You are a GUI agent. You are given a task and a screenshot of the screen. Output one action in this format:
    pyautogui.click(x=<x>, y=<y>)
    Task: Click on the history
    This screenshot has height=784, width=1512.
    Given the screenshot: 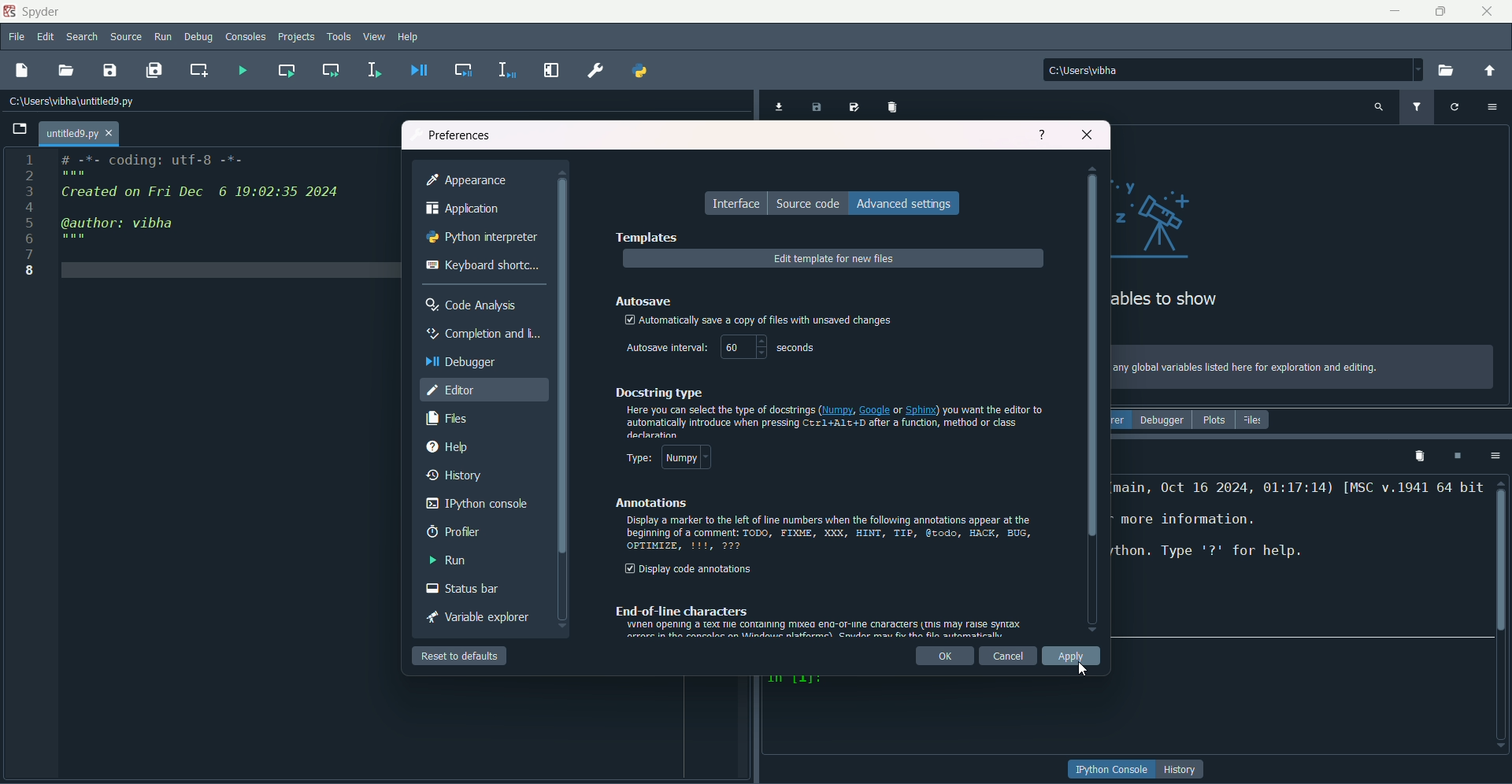 What is the action you would take?
    pyautogui.click(x=451, y=477)
    